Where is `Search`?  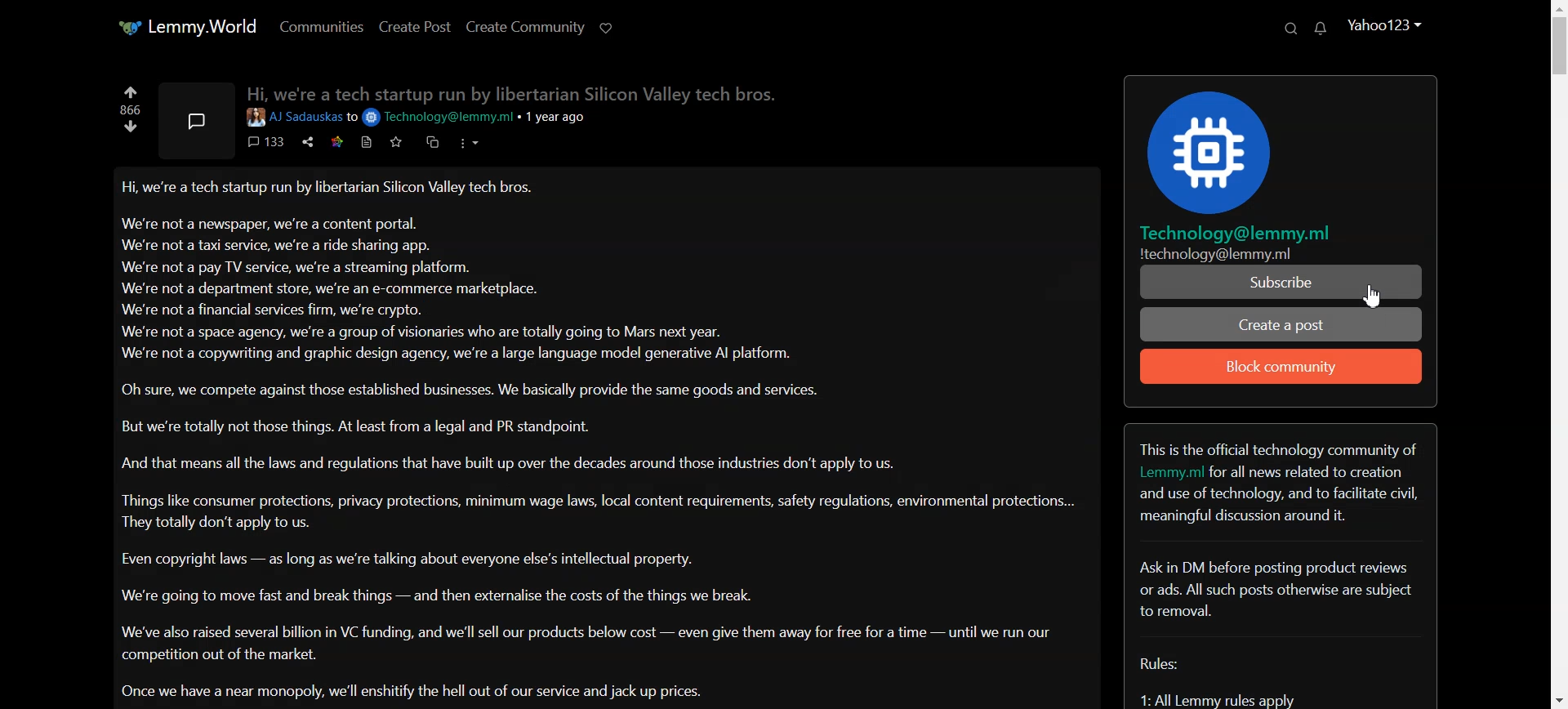 Search is located at coordinates (1290, 27).